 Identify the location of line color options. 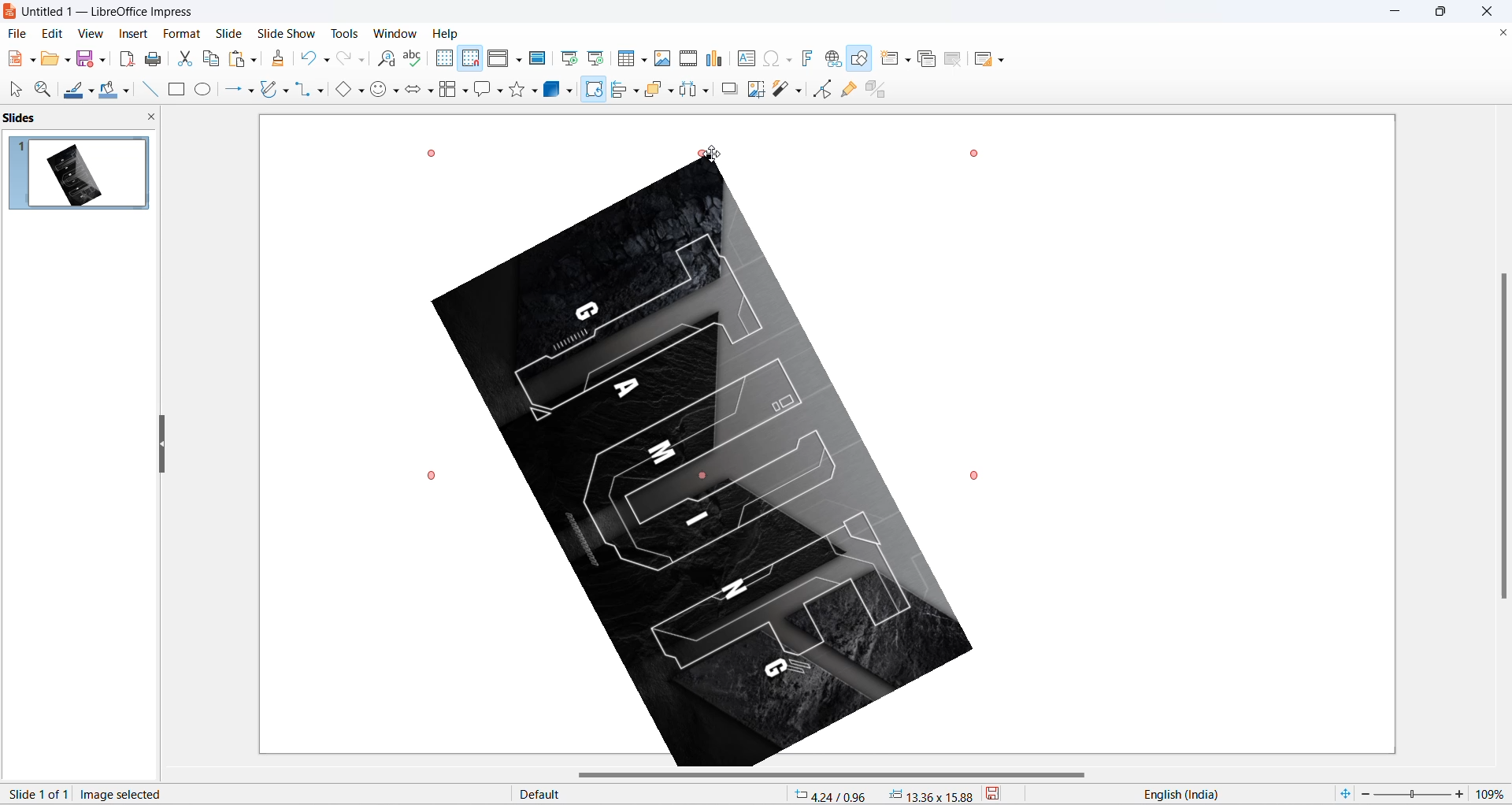
(91, 95).